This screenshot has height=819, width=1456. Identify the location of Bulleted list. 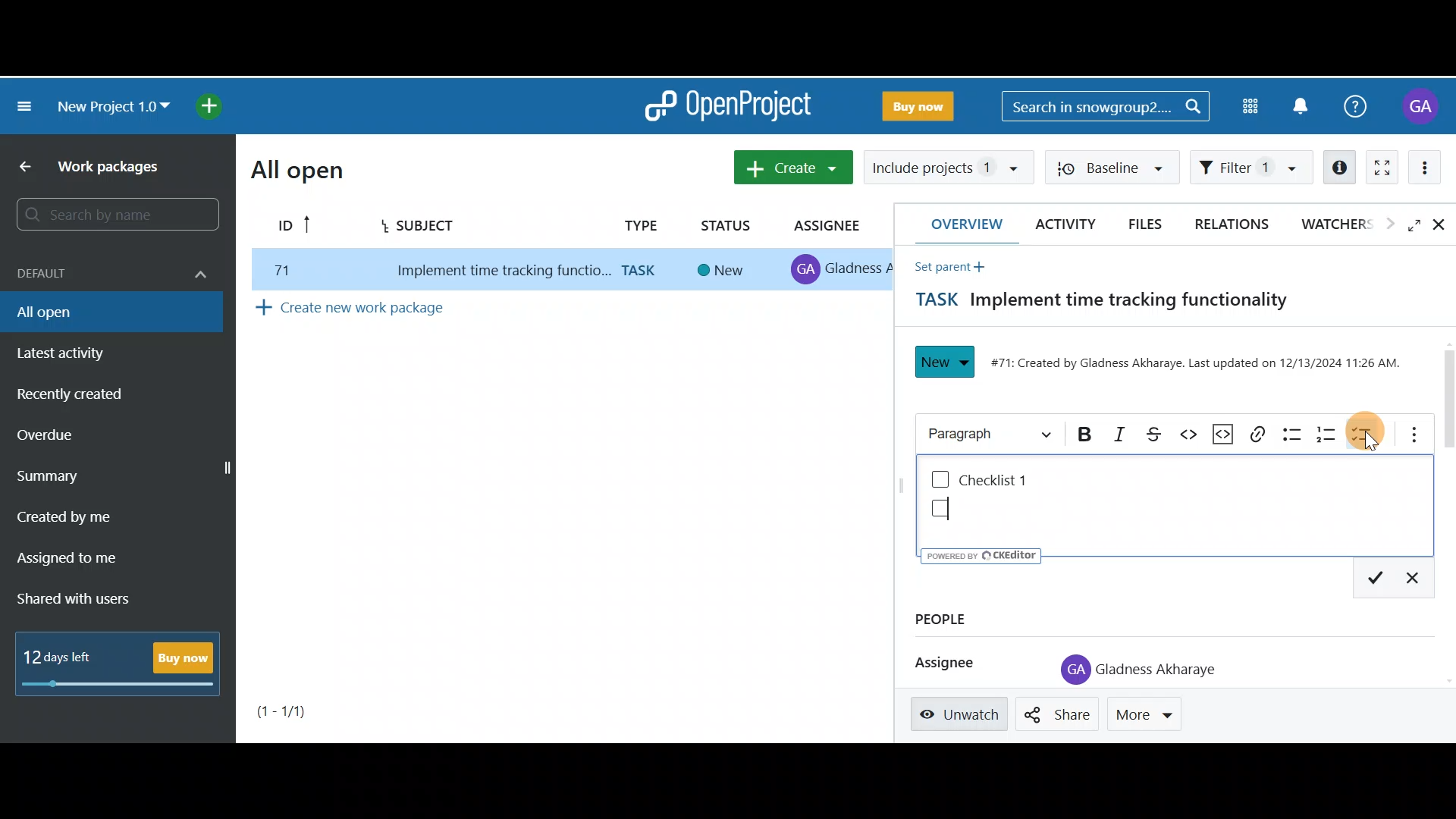
(1291, 433).